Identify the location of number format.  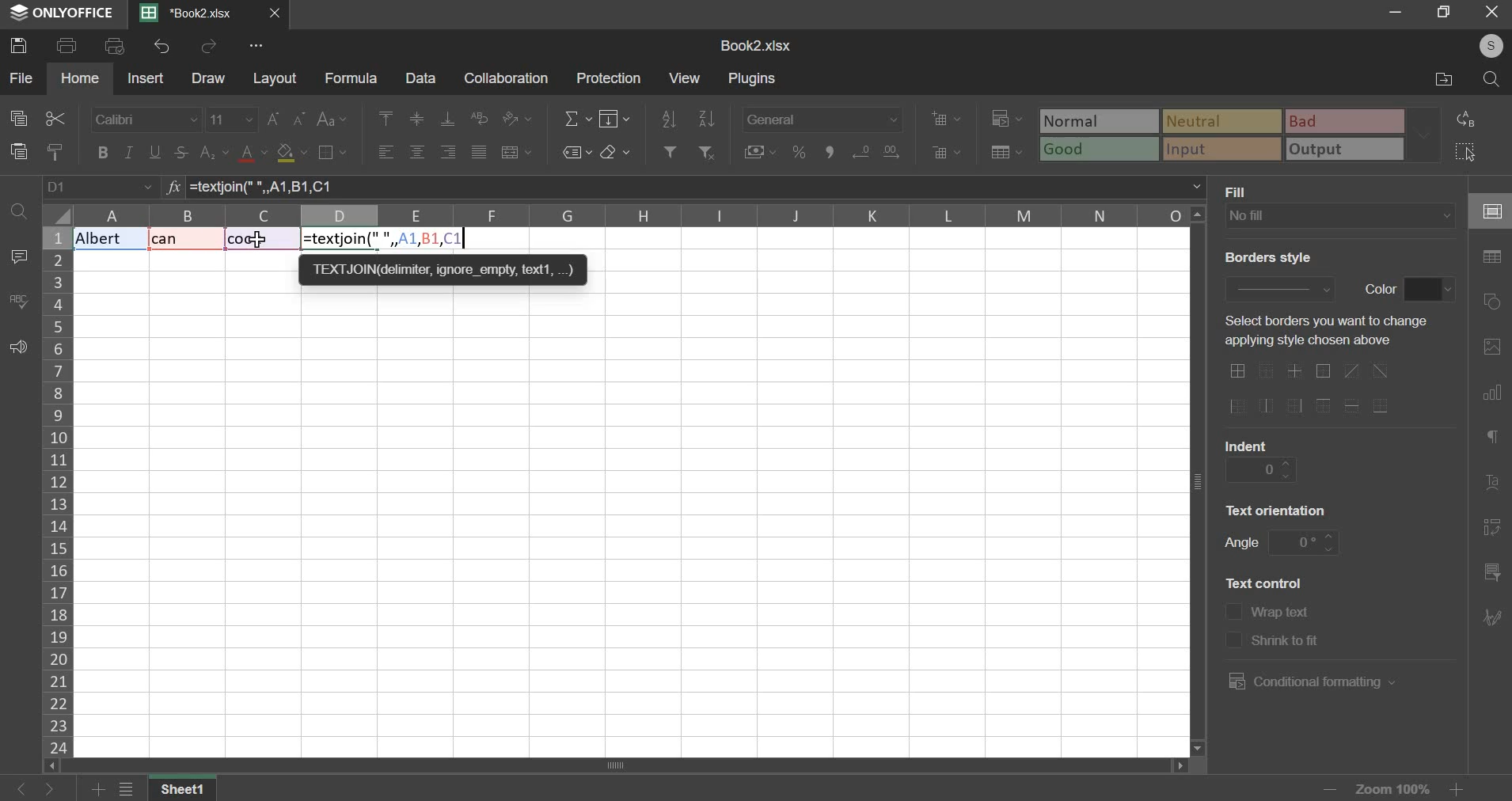
(822, 117).